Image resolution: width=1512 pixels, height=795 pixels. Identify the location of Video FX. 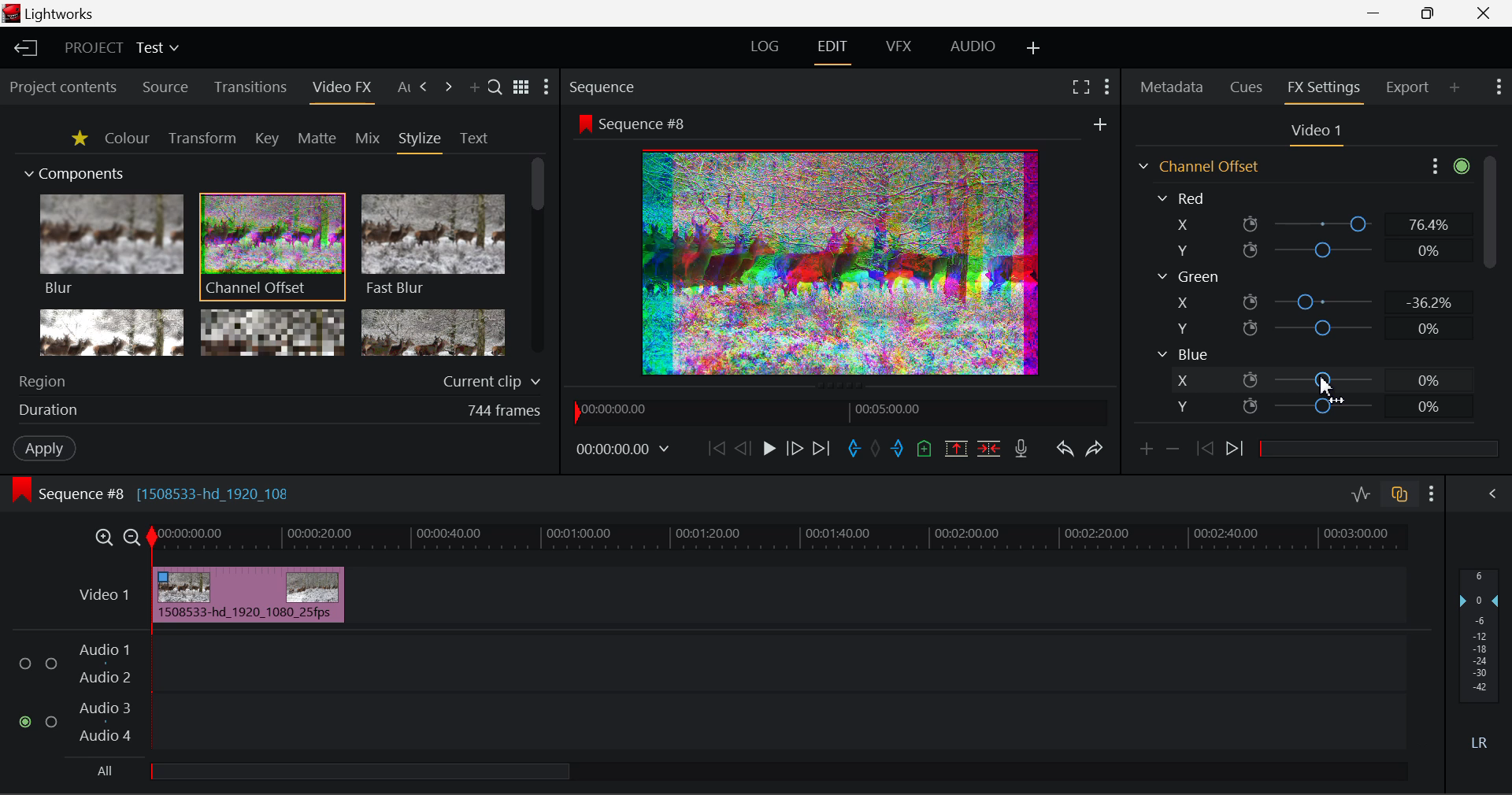
(341, 91).